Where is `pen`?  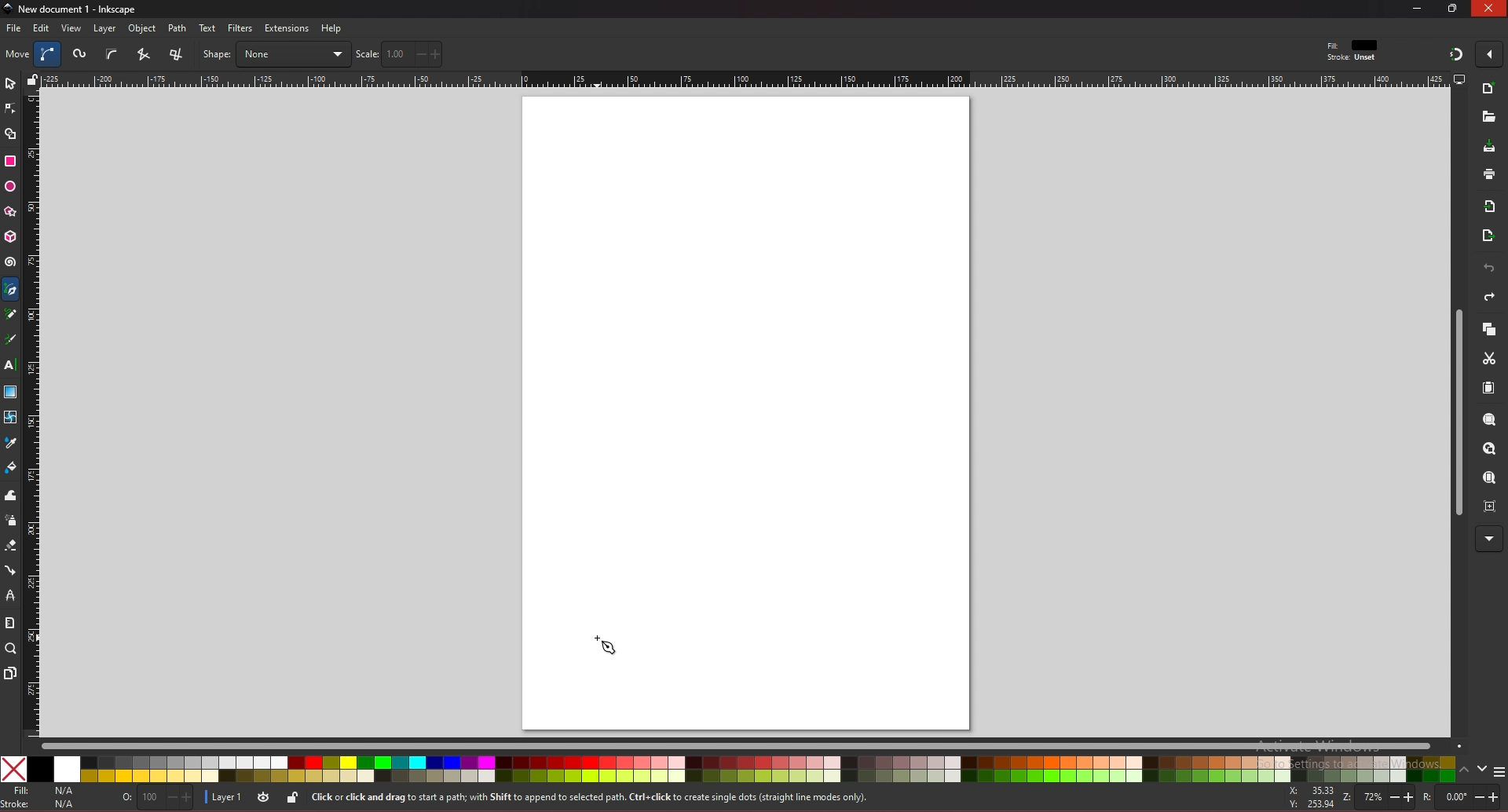
pen is located at coordinates (13, 290).